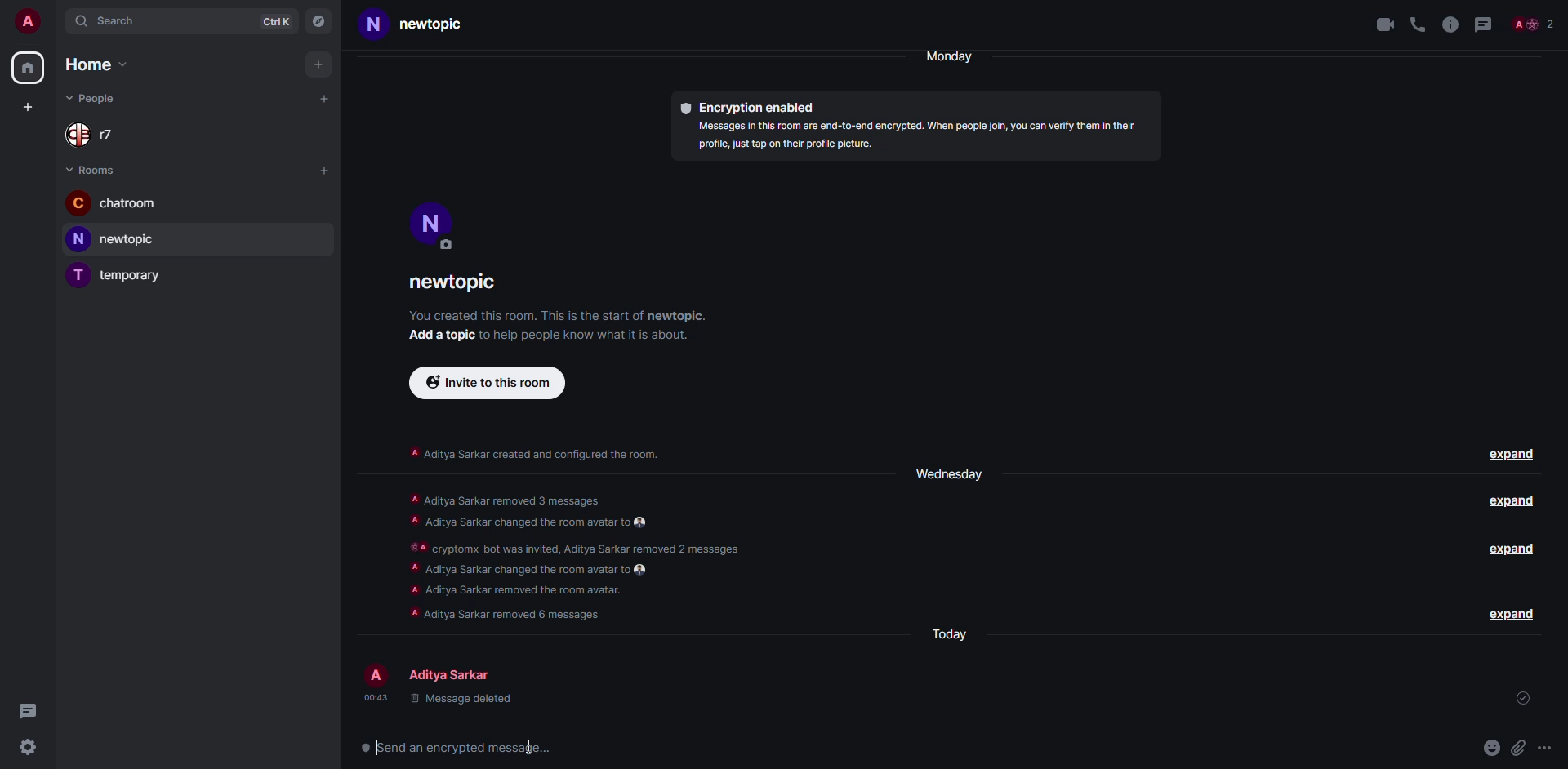  What do you see at coordinates (27, 709) in the screenshot?
I see `threads` at bounding box center [27, 709].